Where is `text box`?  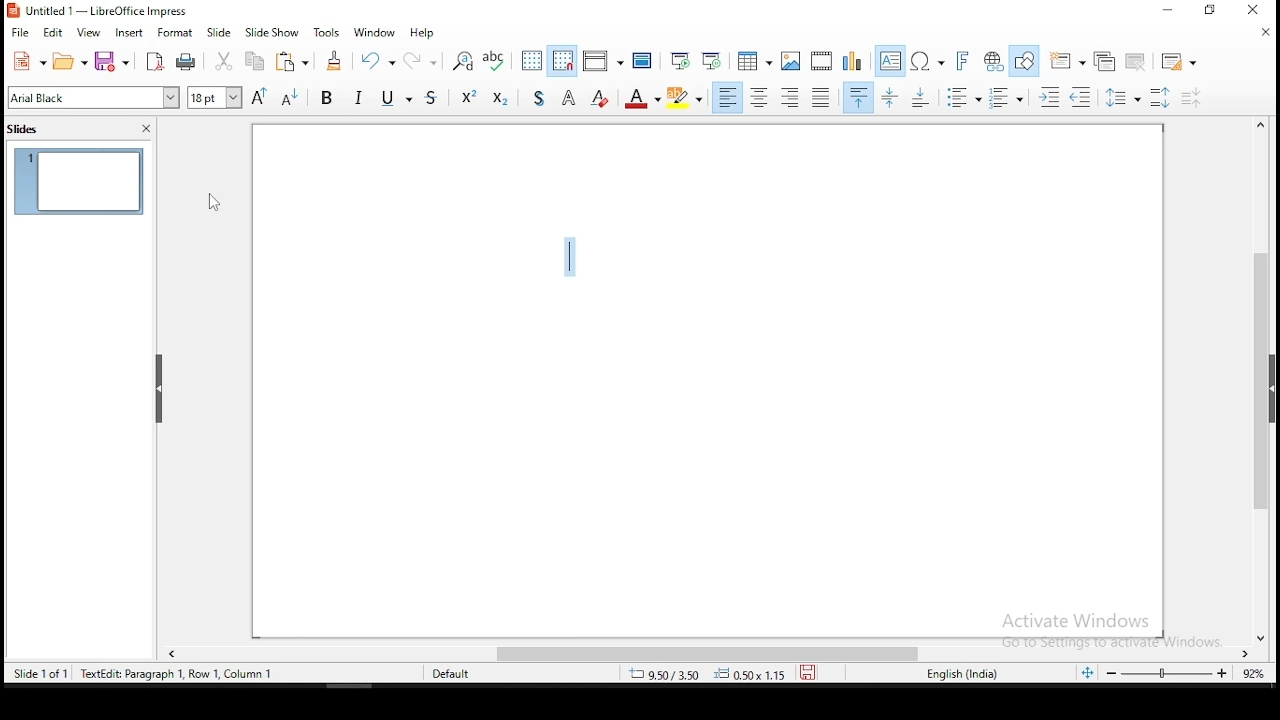 text box is located at coordinates (891, 61).